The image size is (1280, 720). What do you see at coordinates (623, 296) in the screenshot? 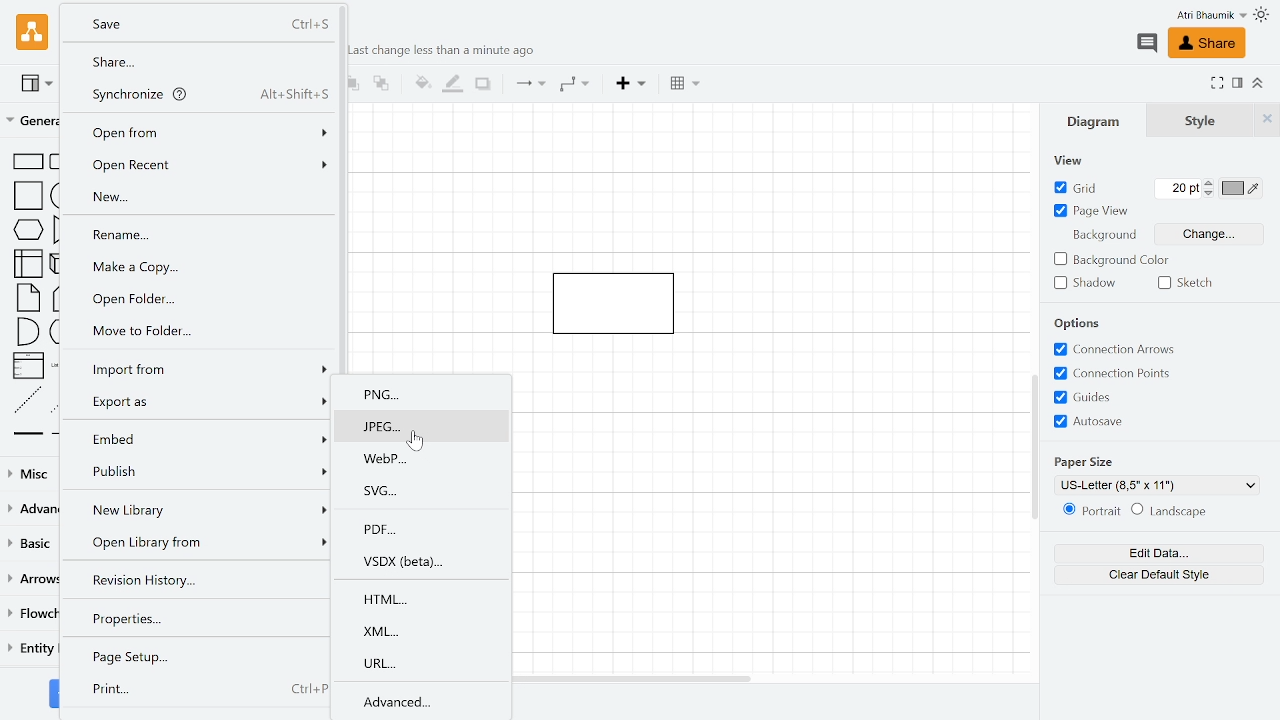
I see `Current diagram` at bounding box center [623, 296].